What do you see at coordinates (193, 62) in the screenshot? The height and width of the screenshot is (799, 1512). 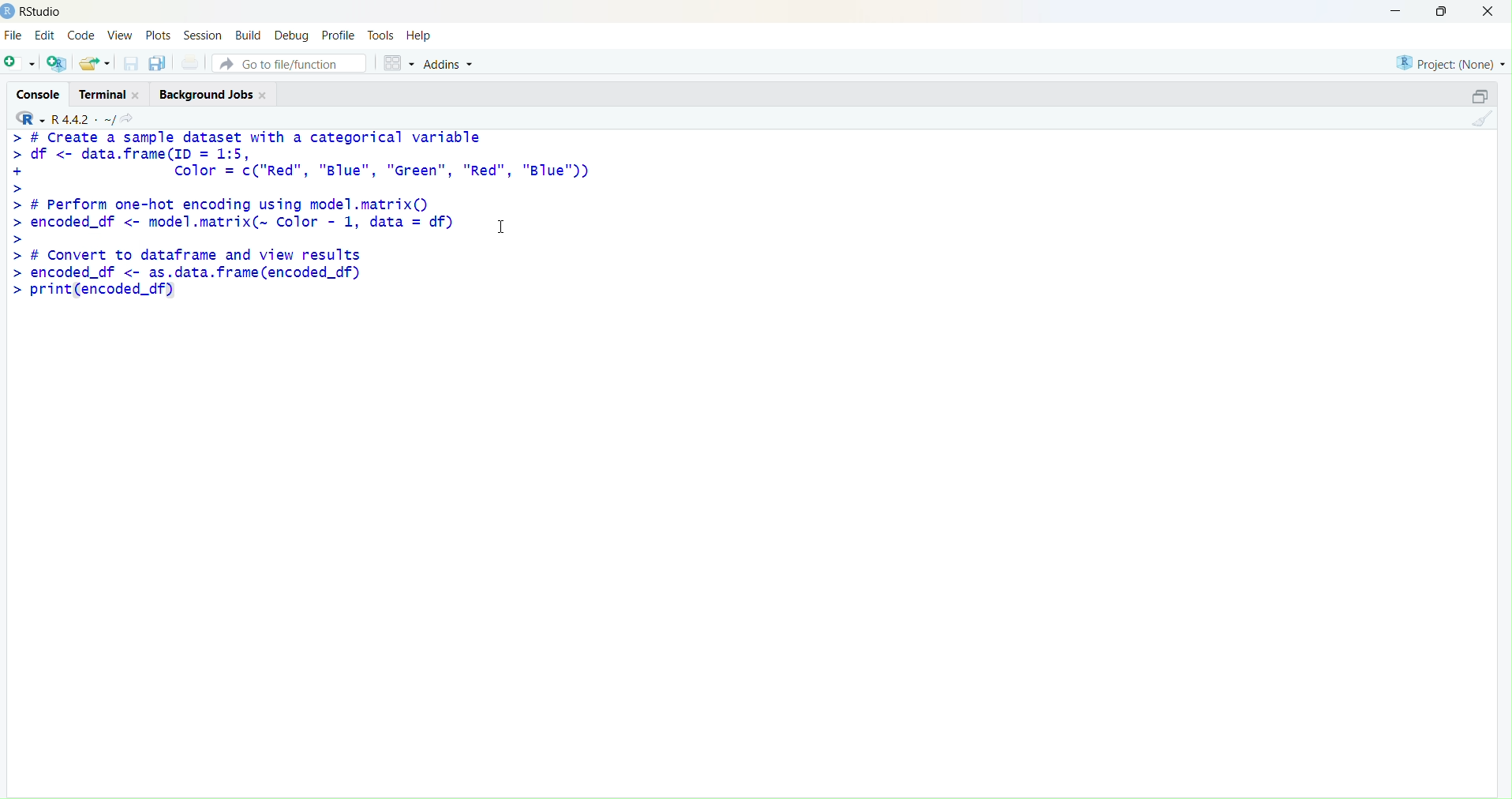 I see `print` at bounding box center [193, 62].